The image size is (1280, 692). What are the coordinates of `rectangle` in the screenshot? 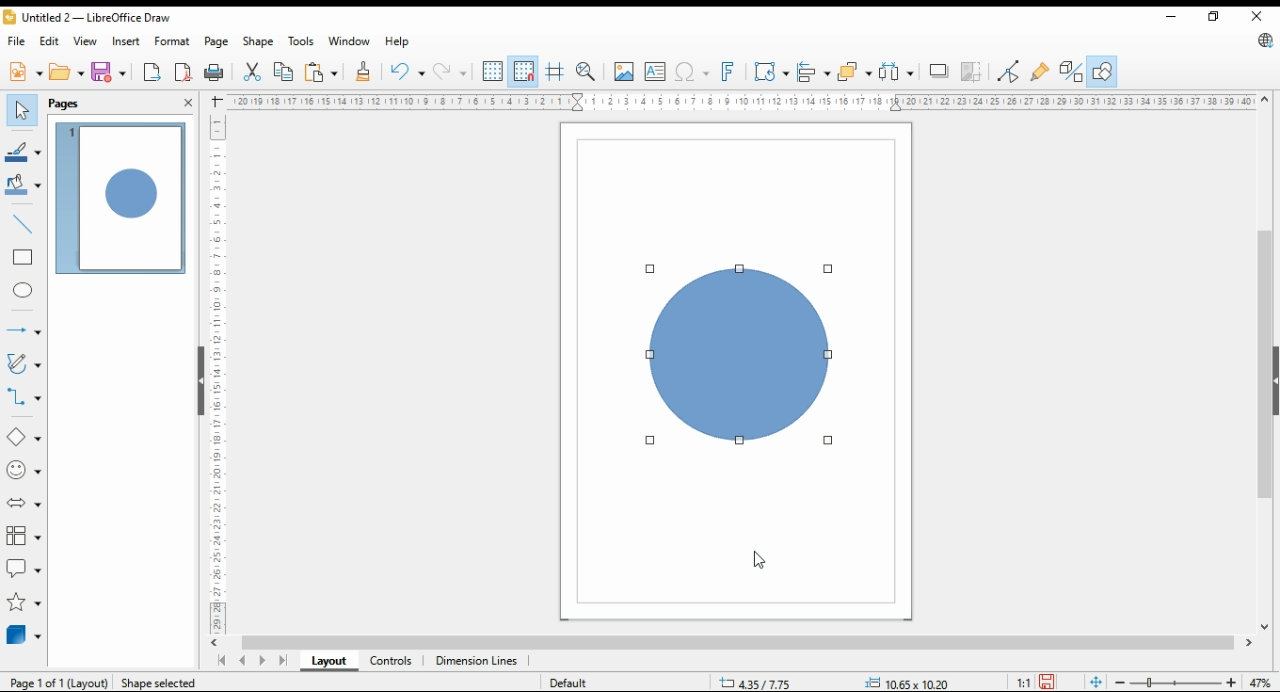 It's located at (23, 258).